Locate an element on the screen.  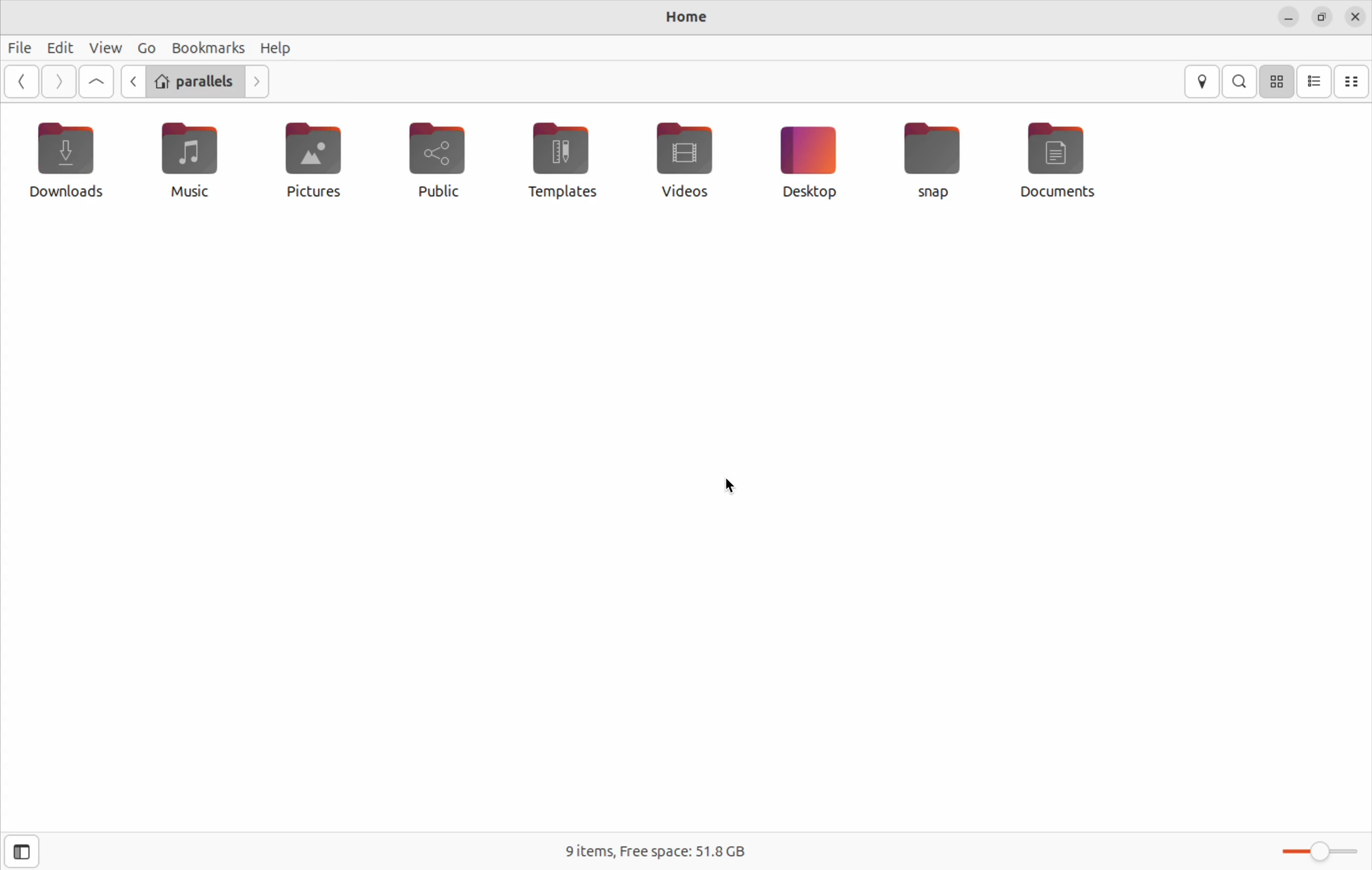
icon view is located at coordinates (1278, 80).